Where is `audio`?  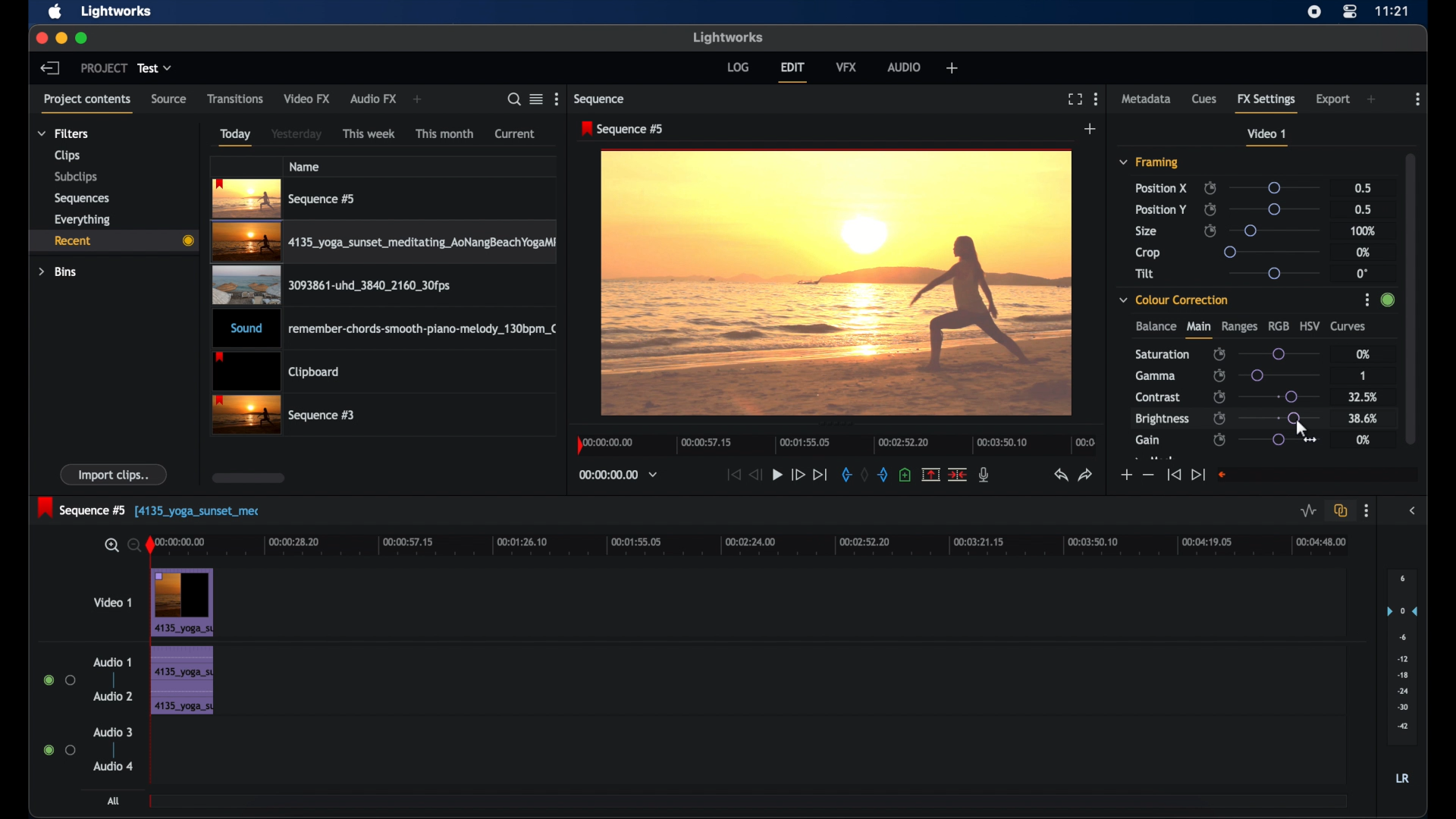 audio is located at coordinates (905, 67).